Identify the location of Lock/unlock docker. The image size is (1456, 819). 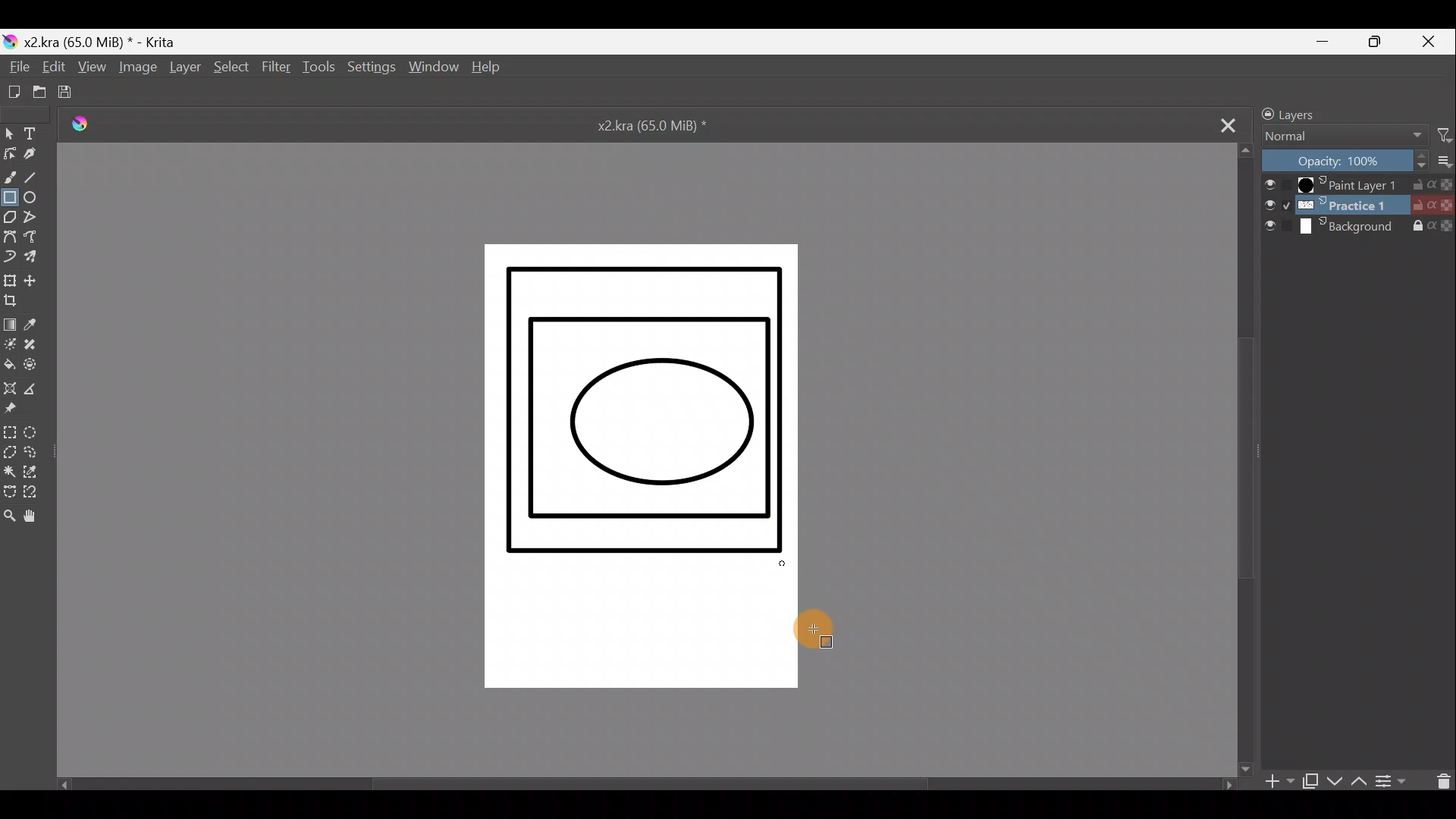
(1261, 111).